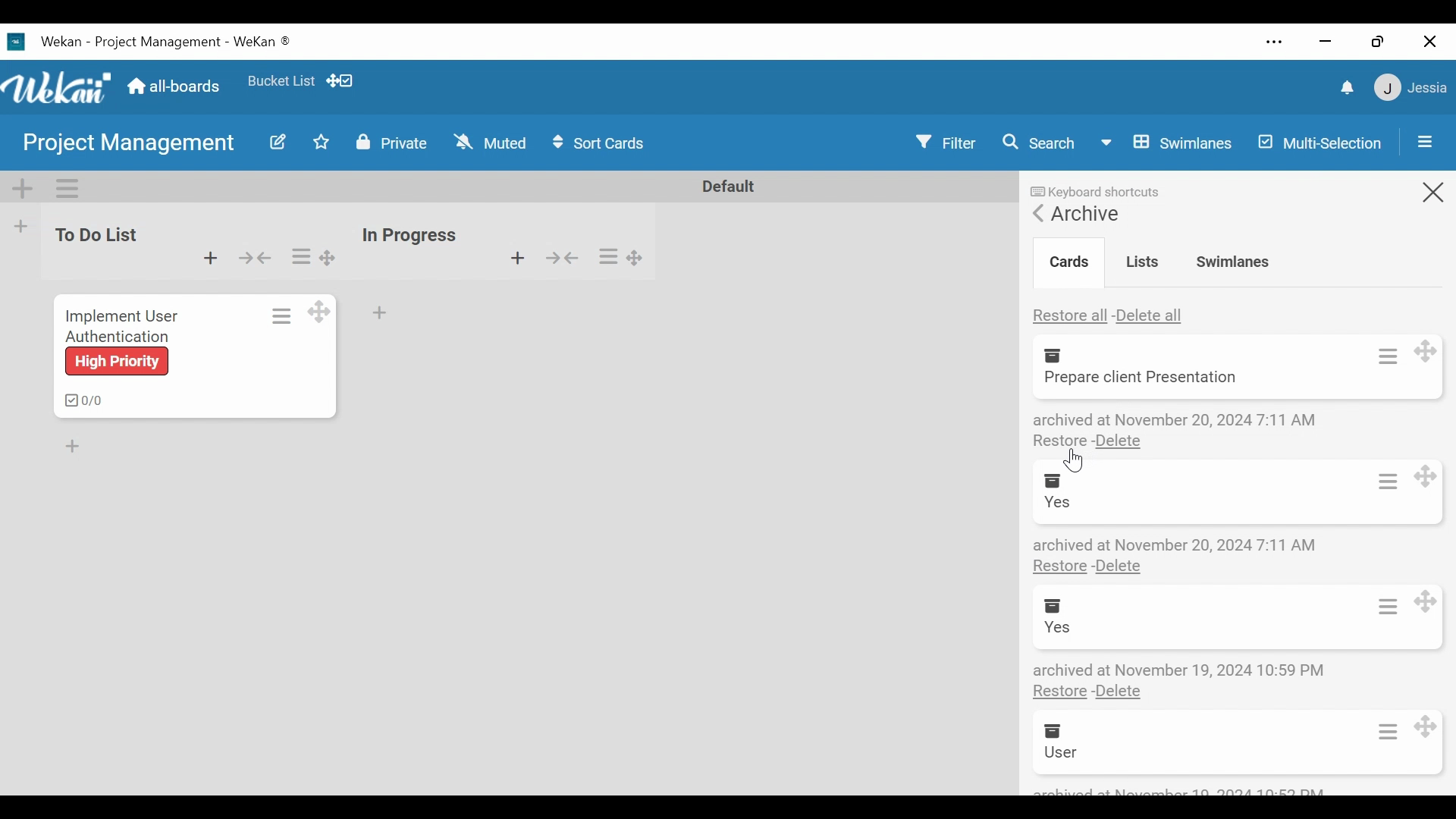 The image size is (1456, 819). I want to click on Add Card to top of the list, so click(517, 258).